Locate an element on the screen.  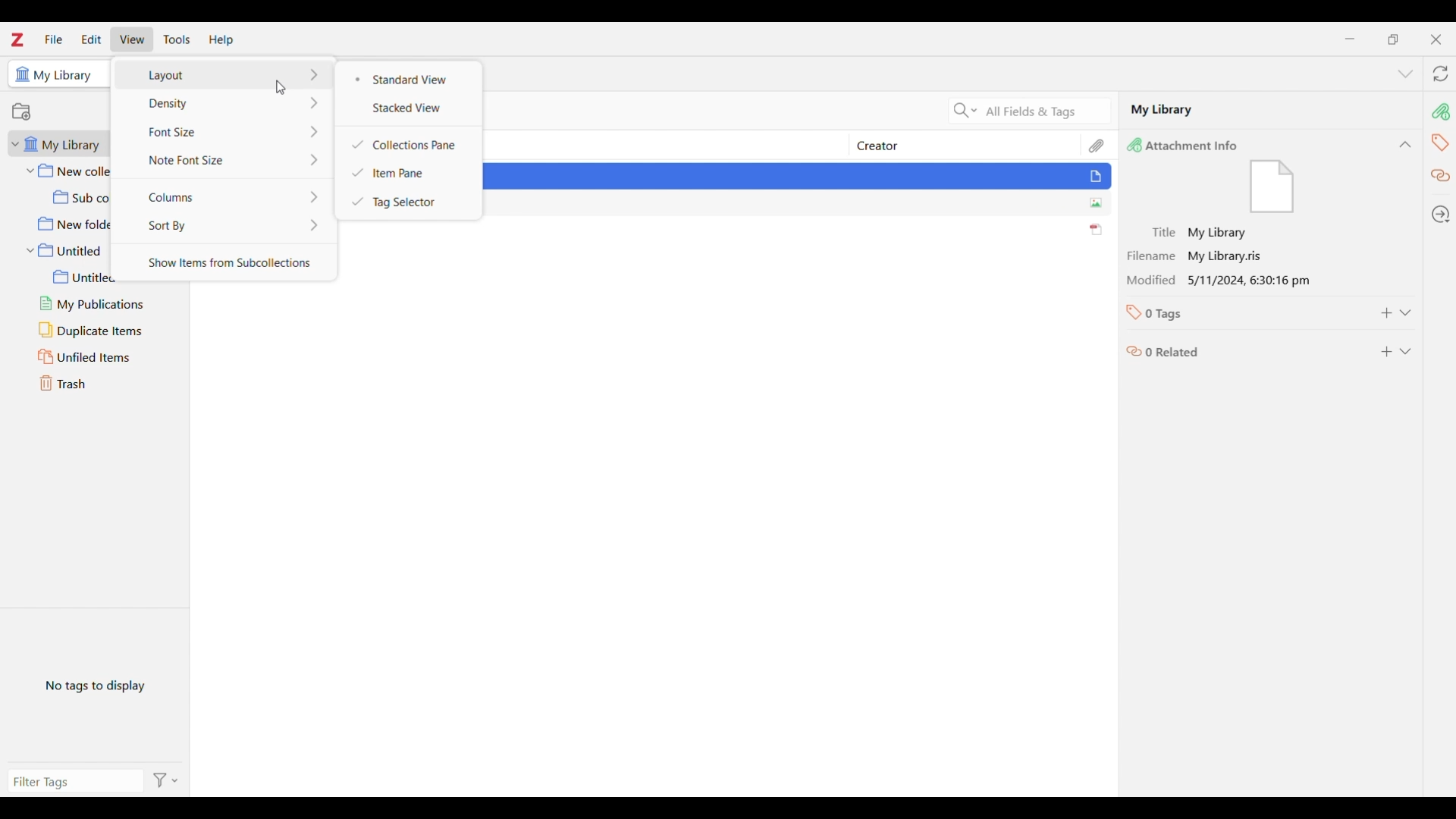
Collections pane checked is located at coordinates (409, 145).